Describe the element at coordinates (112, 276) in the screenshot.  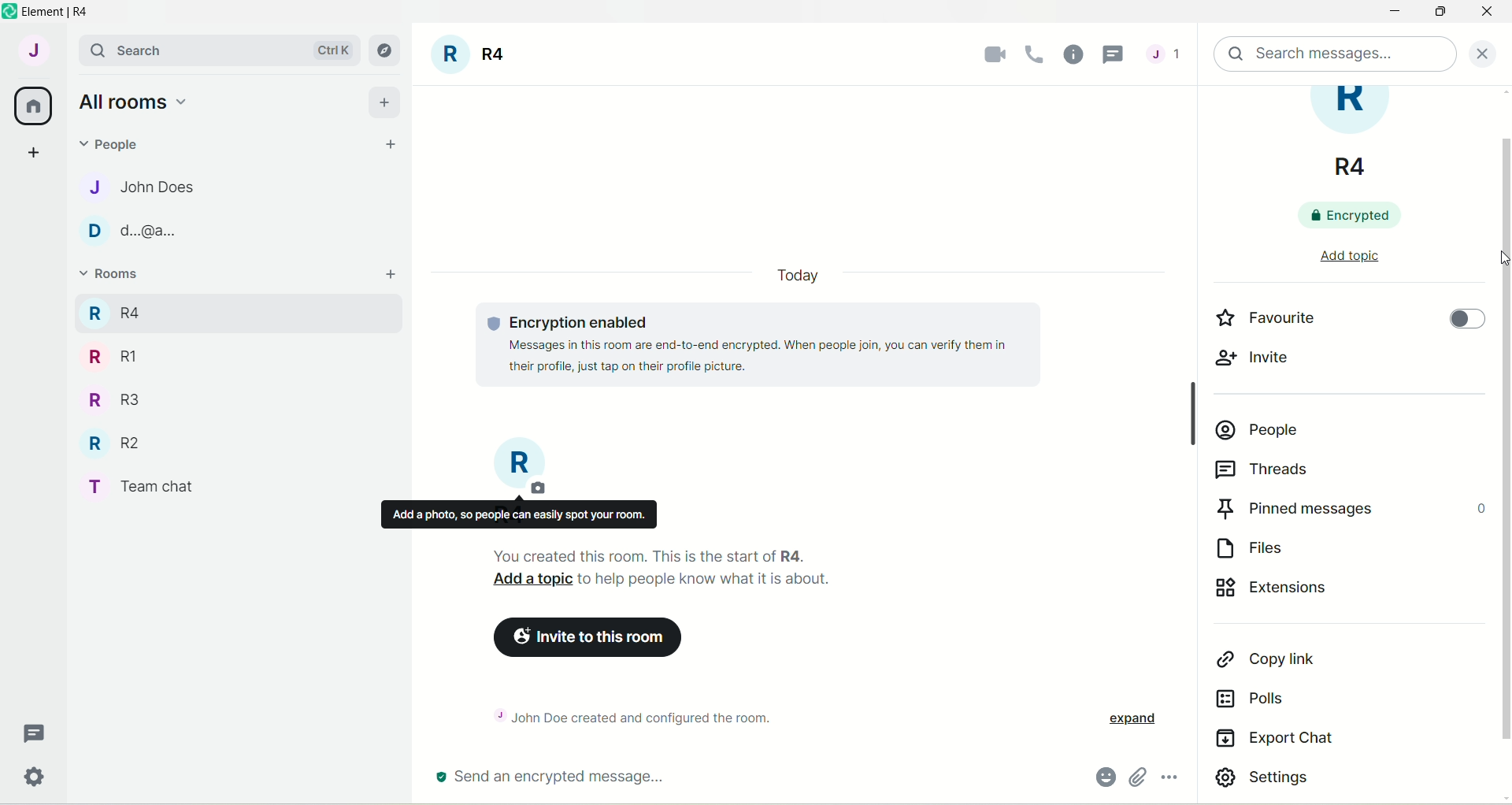
I see `rooms` at that location.